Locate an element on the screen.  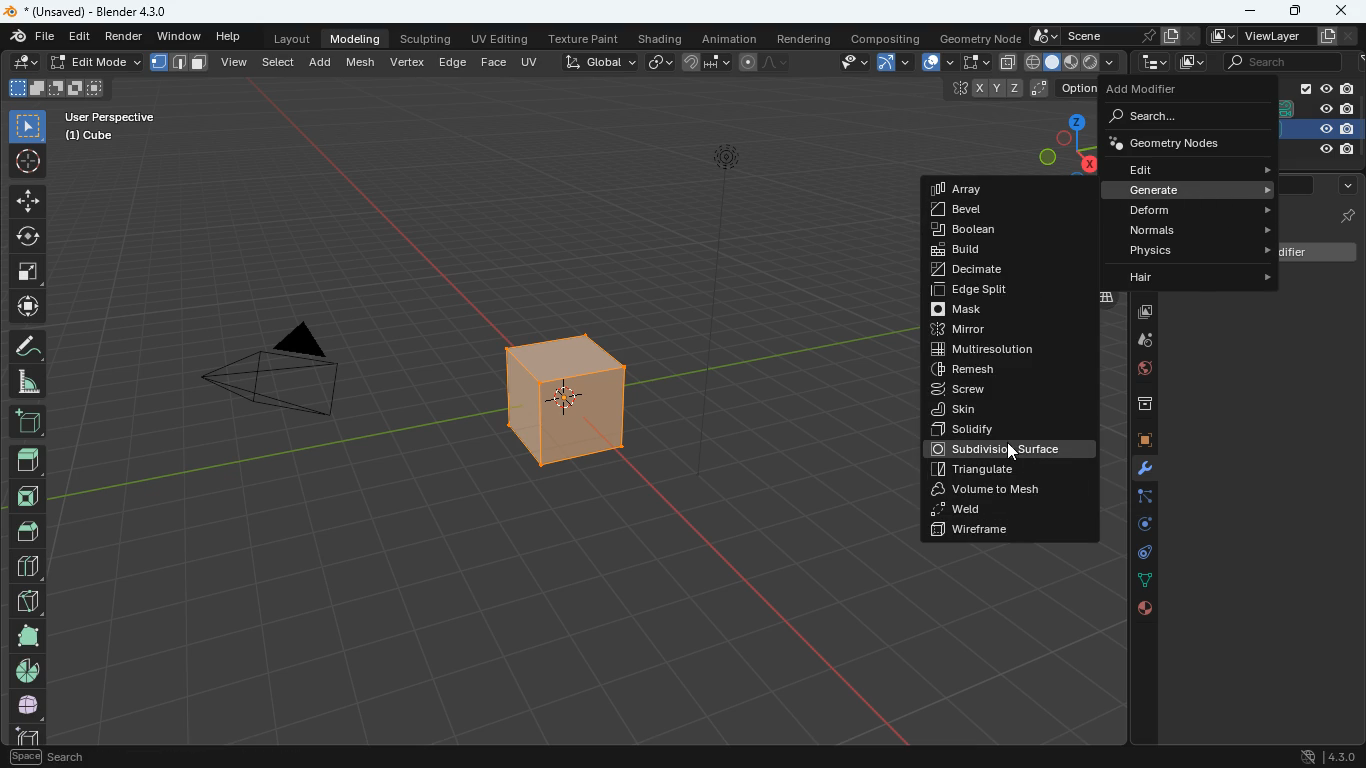
wireframe is located at coordinates (998, 530).